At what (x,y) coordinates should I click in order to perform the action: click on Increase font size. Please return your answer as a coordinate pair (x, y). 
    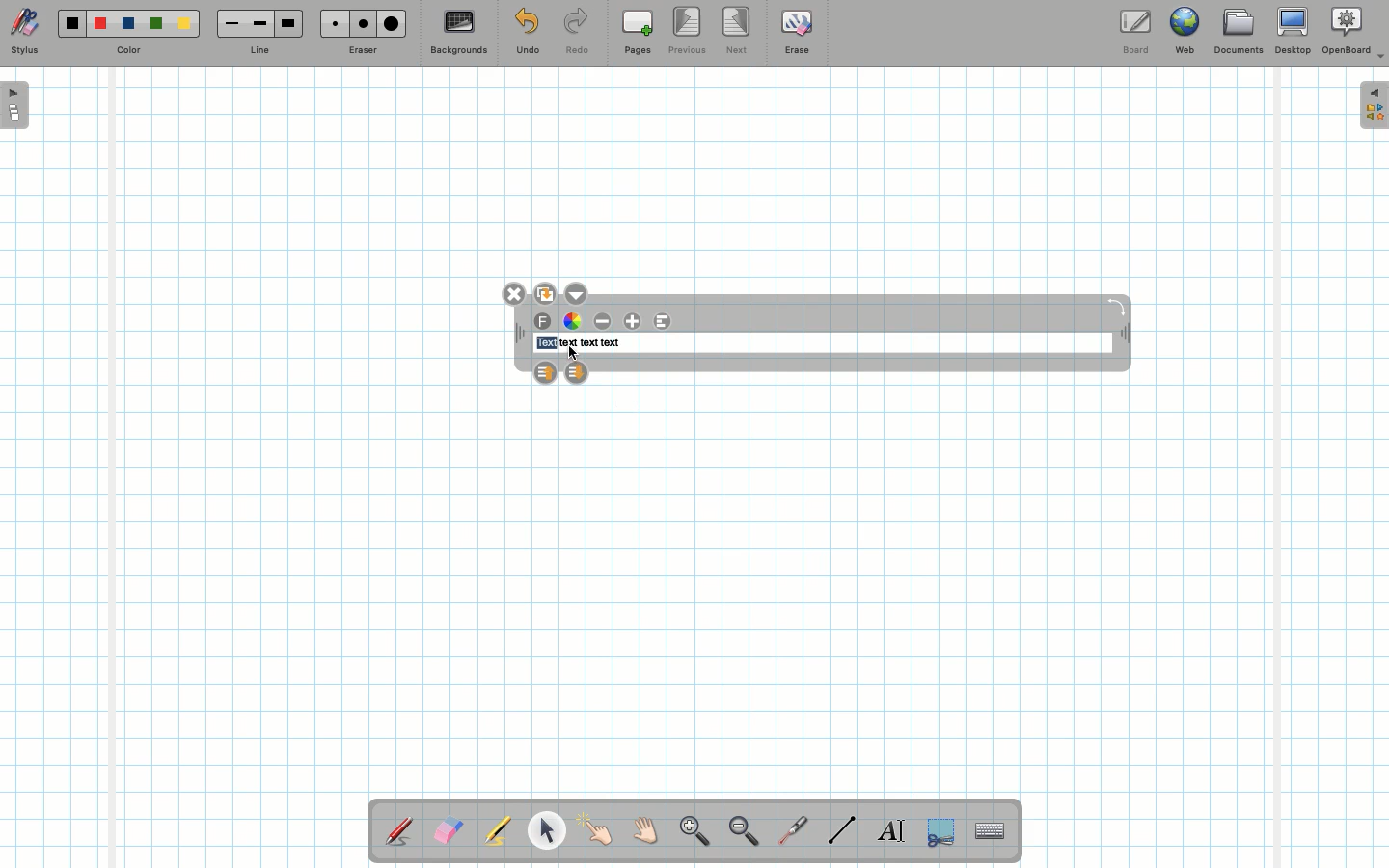
    Looking at the image, I should click on (635, 321).